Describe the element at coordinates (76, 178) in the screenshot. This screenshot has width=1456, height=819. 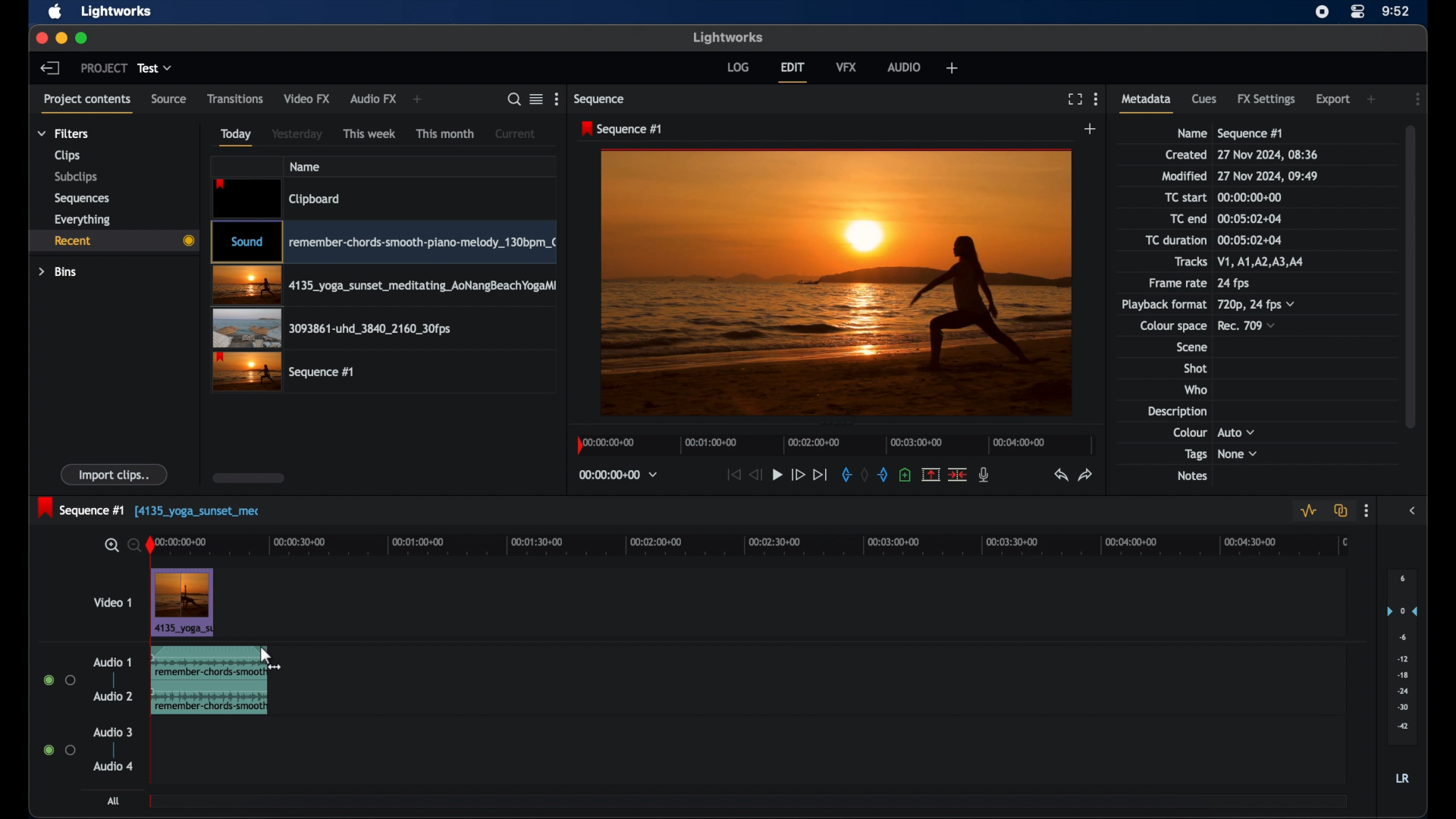
I see `subclips` at that location.